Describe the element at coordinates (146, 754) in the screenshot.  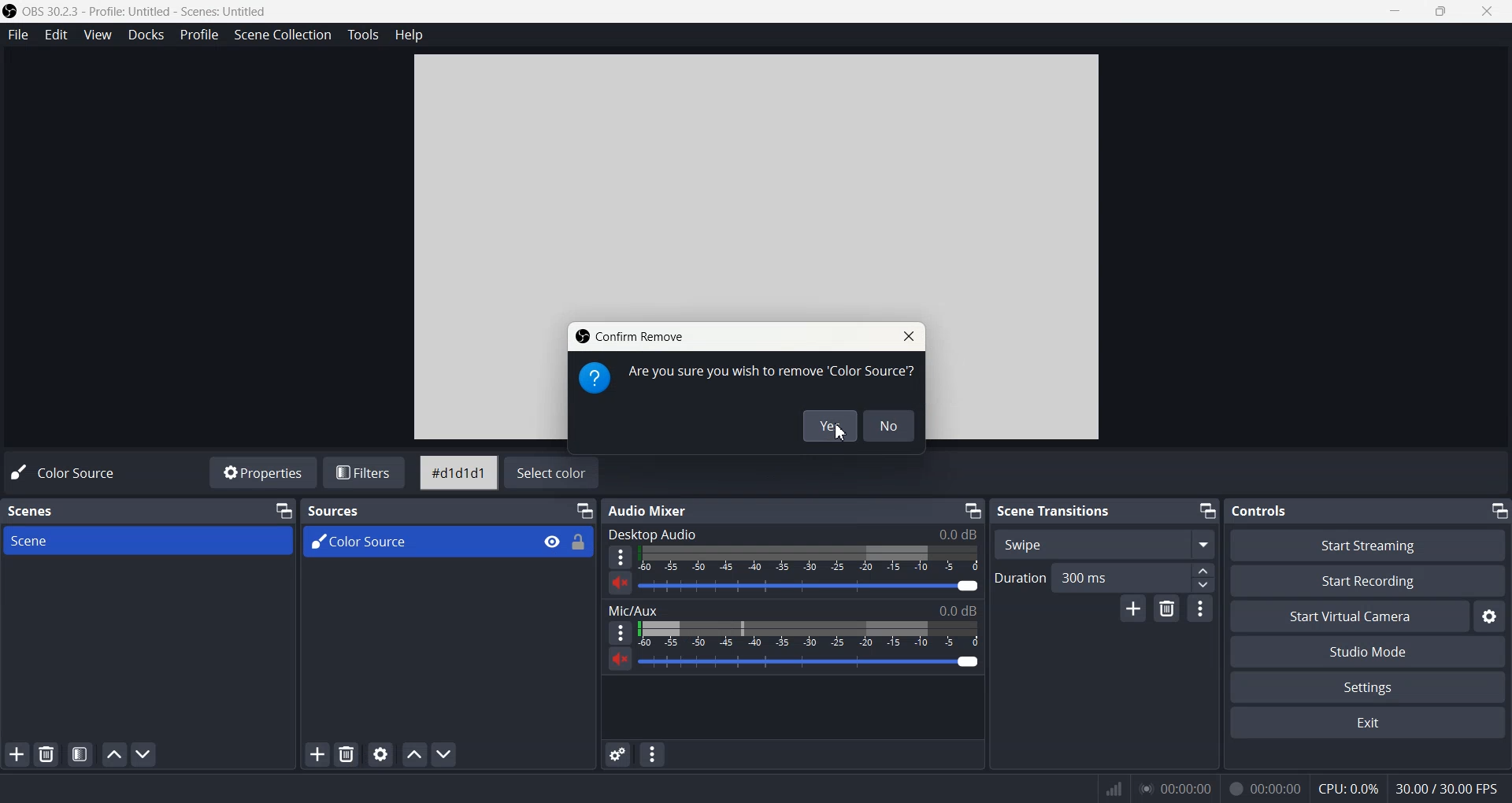
I see `Move scene Down` at that location.